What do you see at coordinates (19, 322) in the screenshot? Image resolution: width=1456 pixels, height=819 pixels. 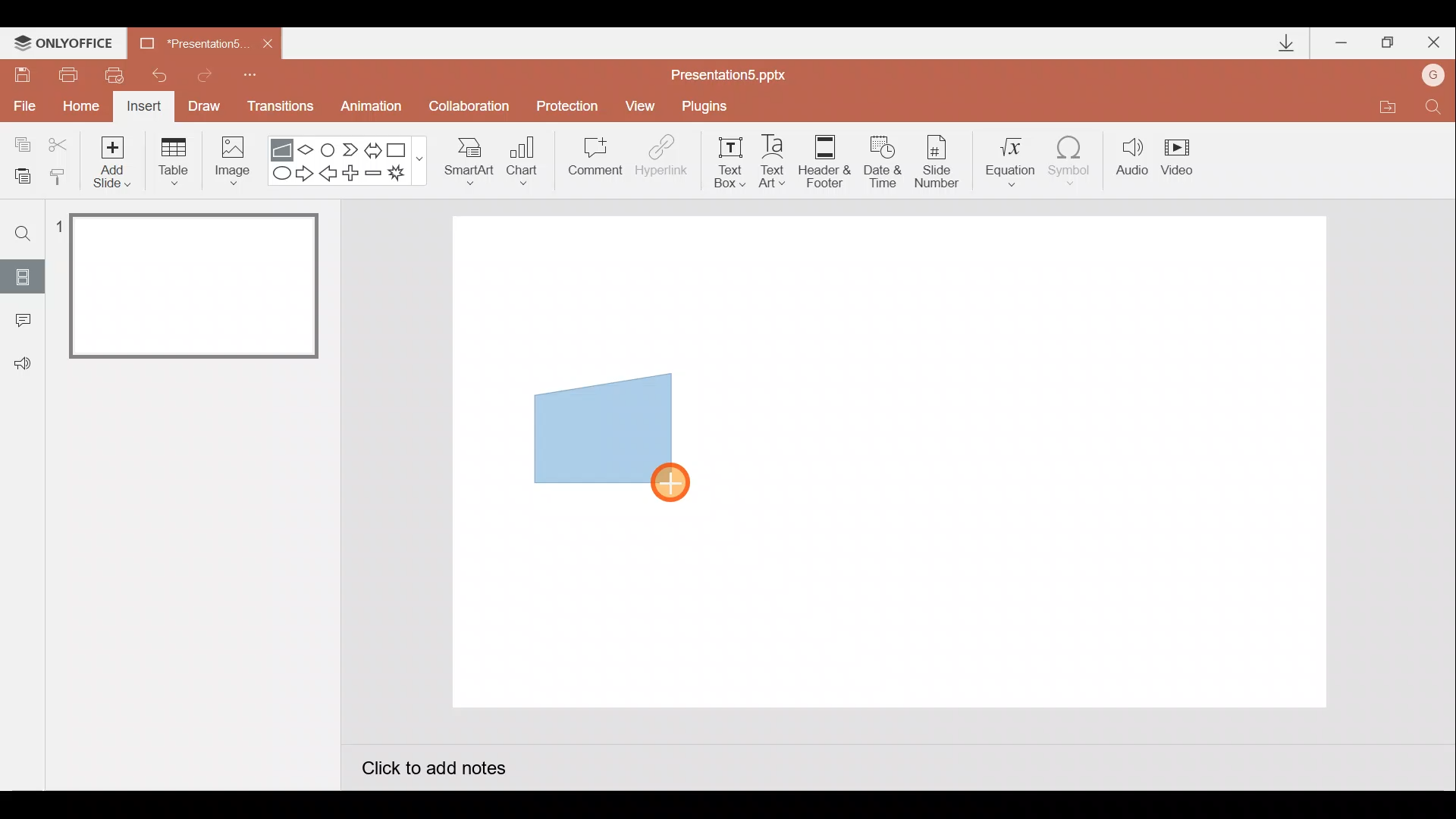 I see `Comments` at bounding box center [19, 322].